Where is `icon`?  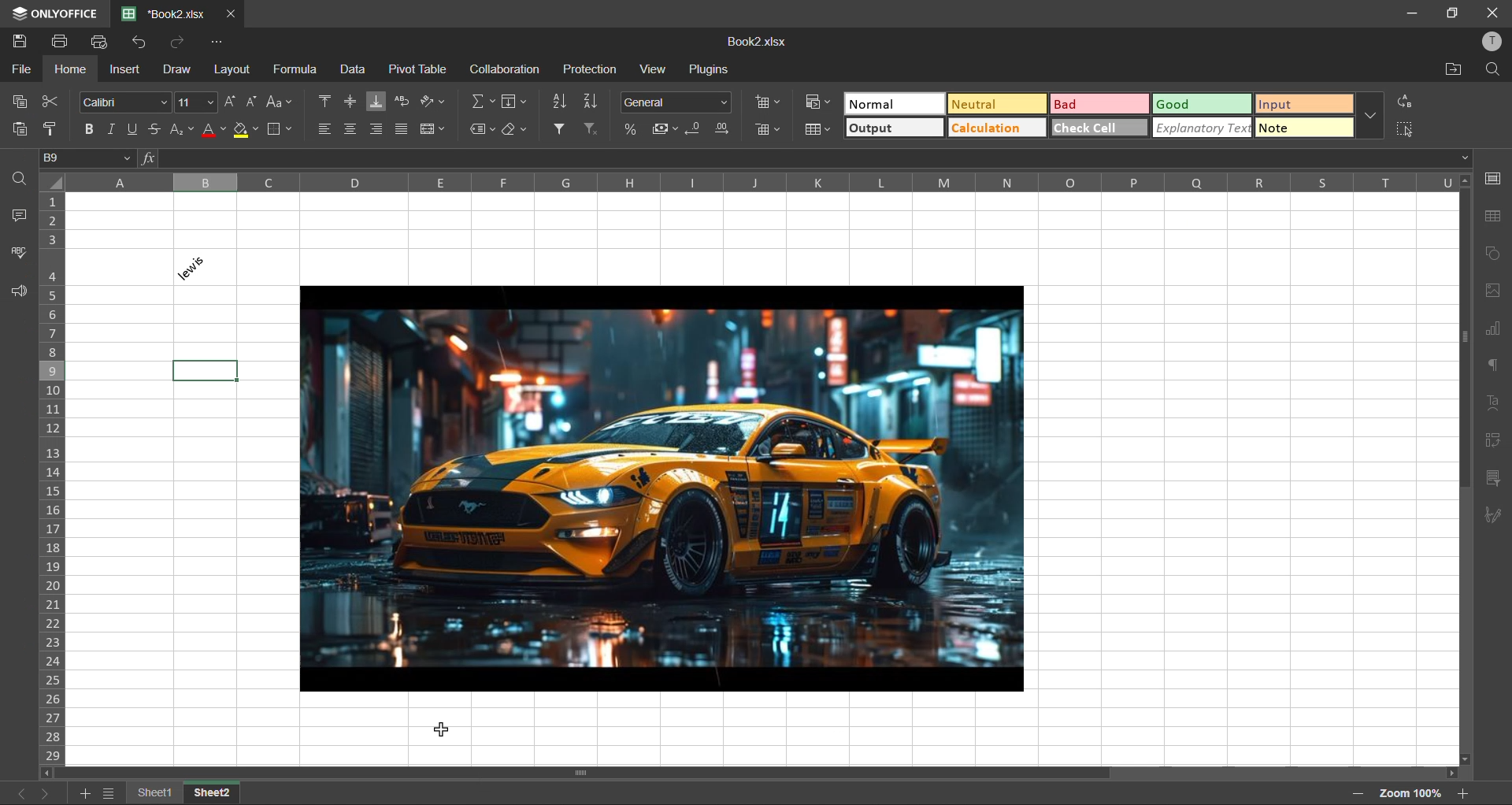 icon is located at coordinates (18, 14).